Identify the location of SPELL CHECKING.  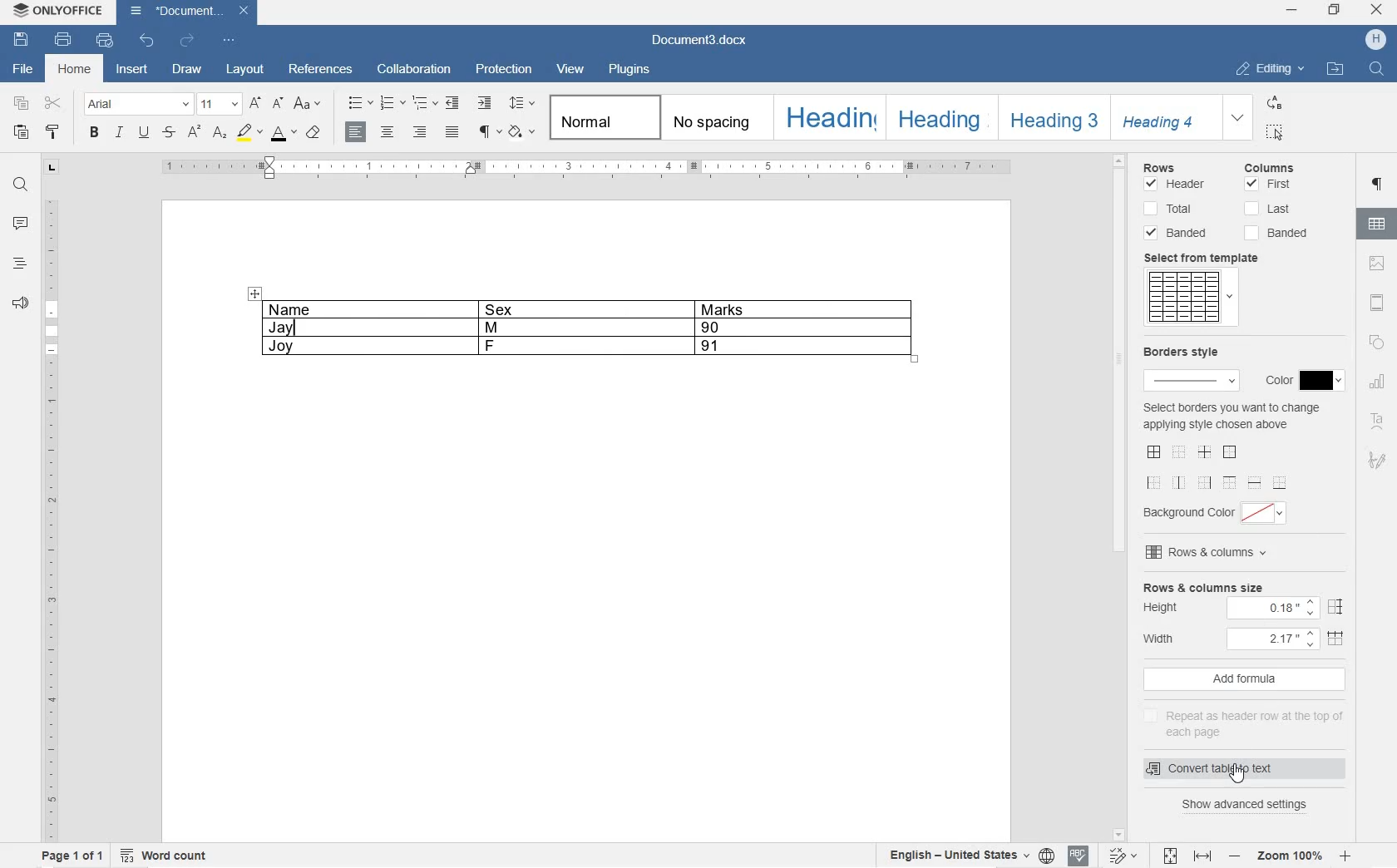
(1078, 856).